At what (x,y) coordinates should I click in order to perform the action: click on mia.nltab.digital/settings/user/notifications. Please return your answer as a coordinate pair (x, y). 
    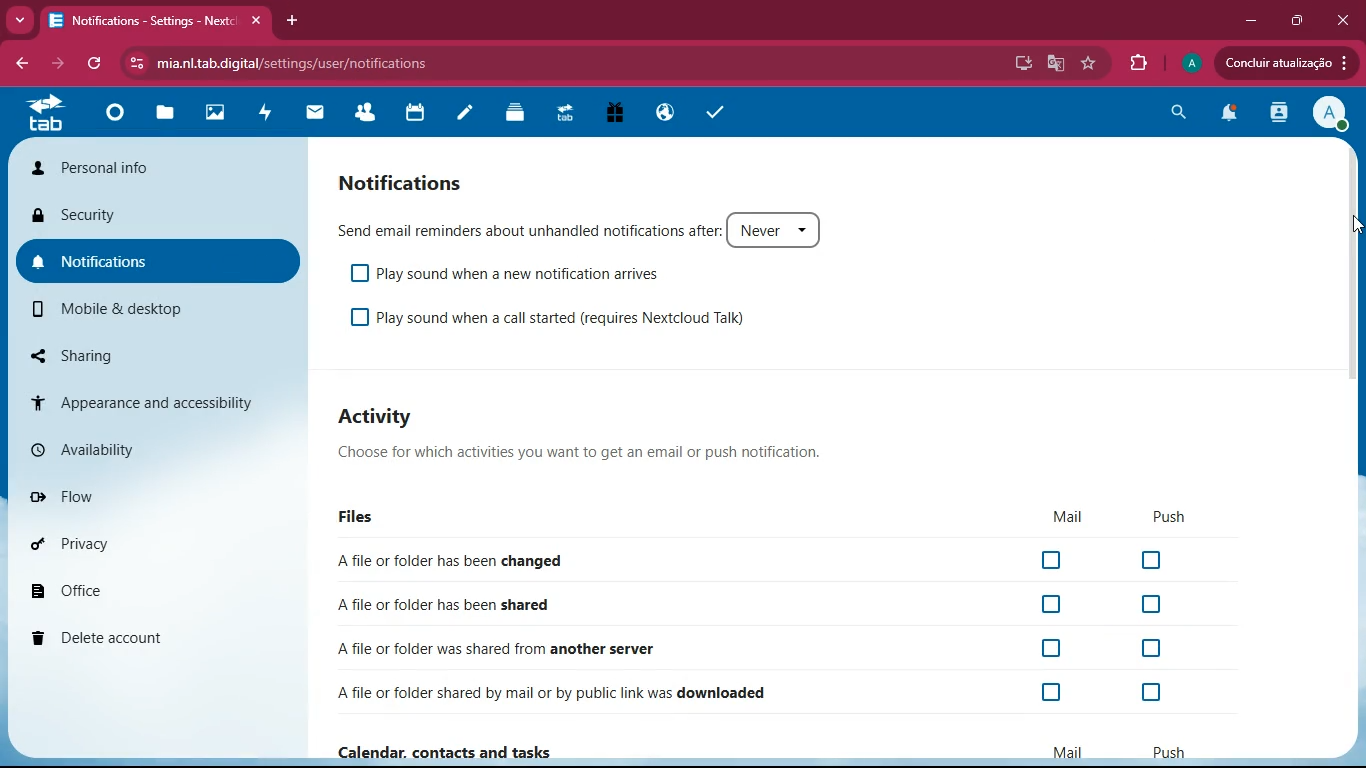
    Looking at the image, I should click on (293, 65).